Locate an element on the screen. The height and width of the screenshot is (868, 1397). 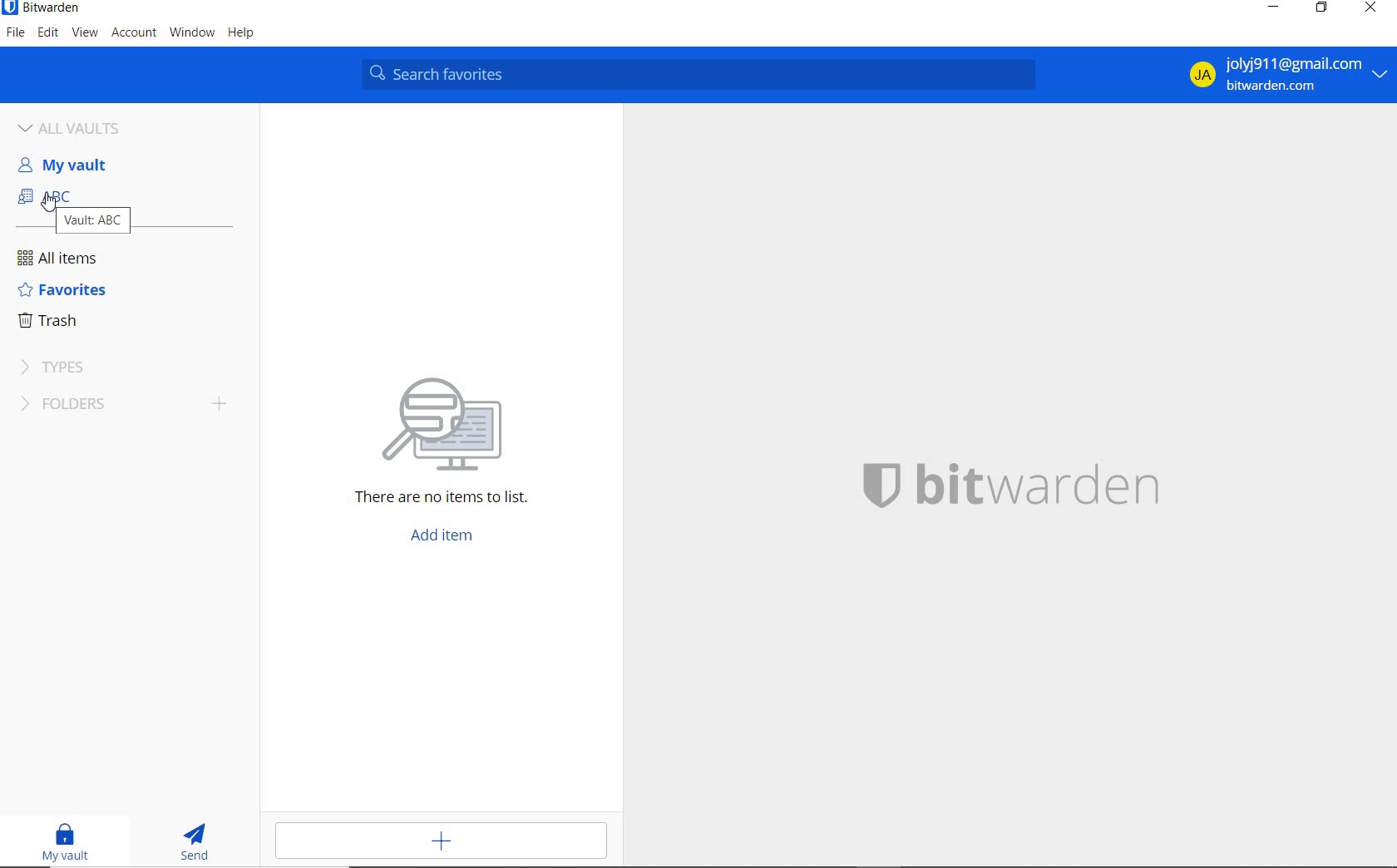
Bitwarden logo is located at coordinates (879, 483).